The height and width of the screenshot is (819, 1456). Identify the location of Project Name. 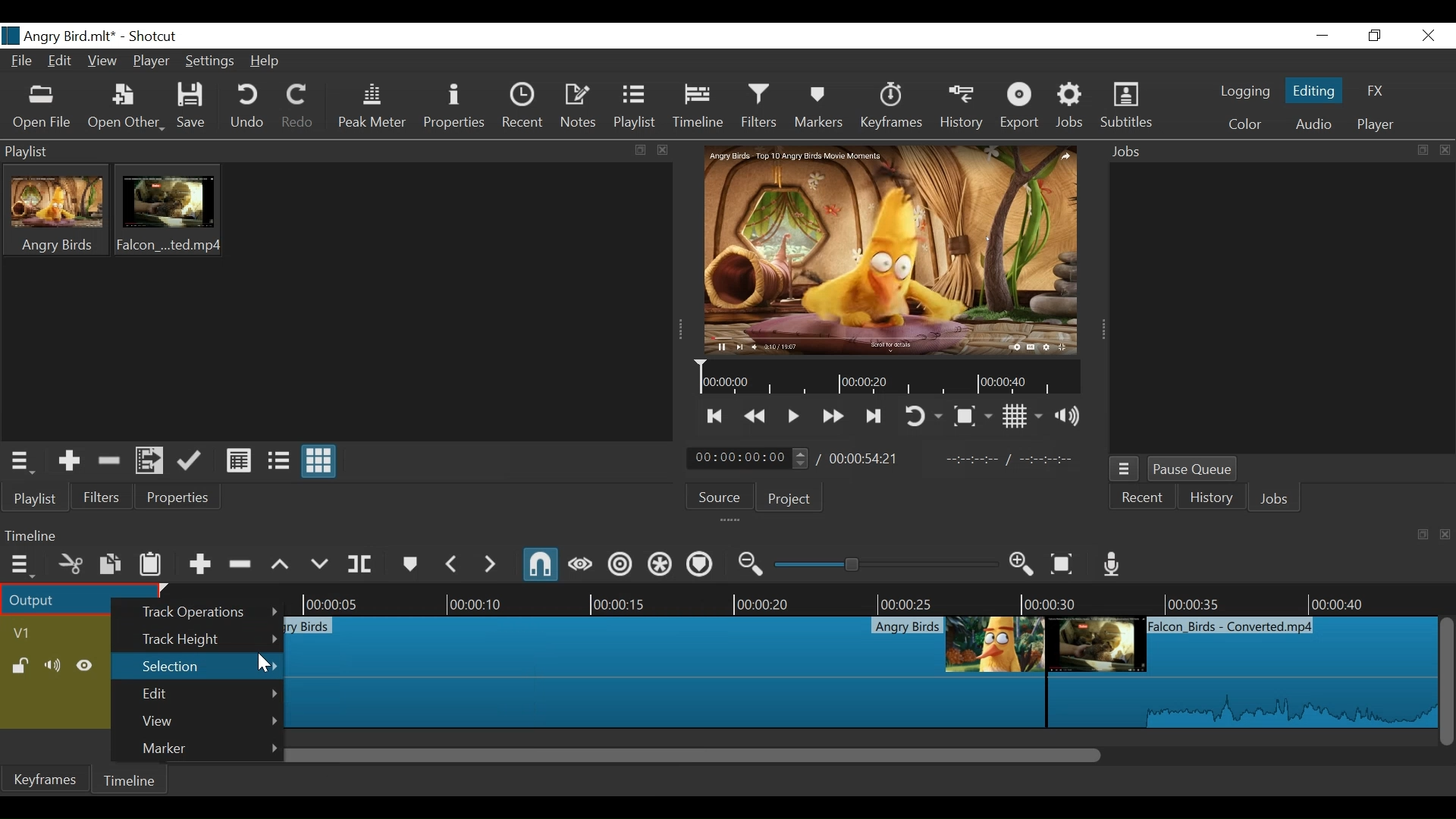
(58, 36).